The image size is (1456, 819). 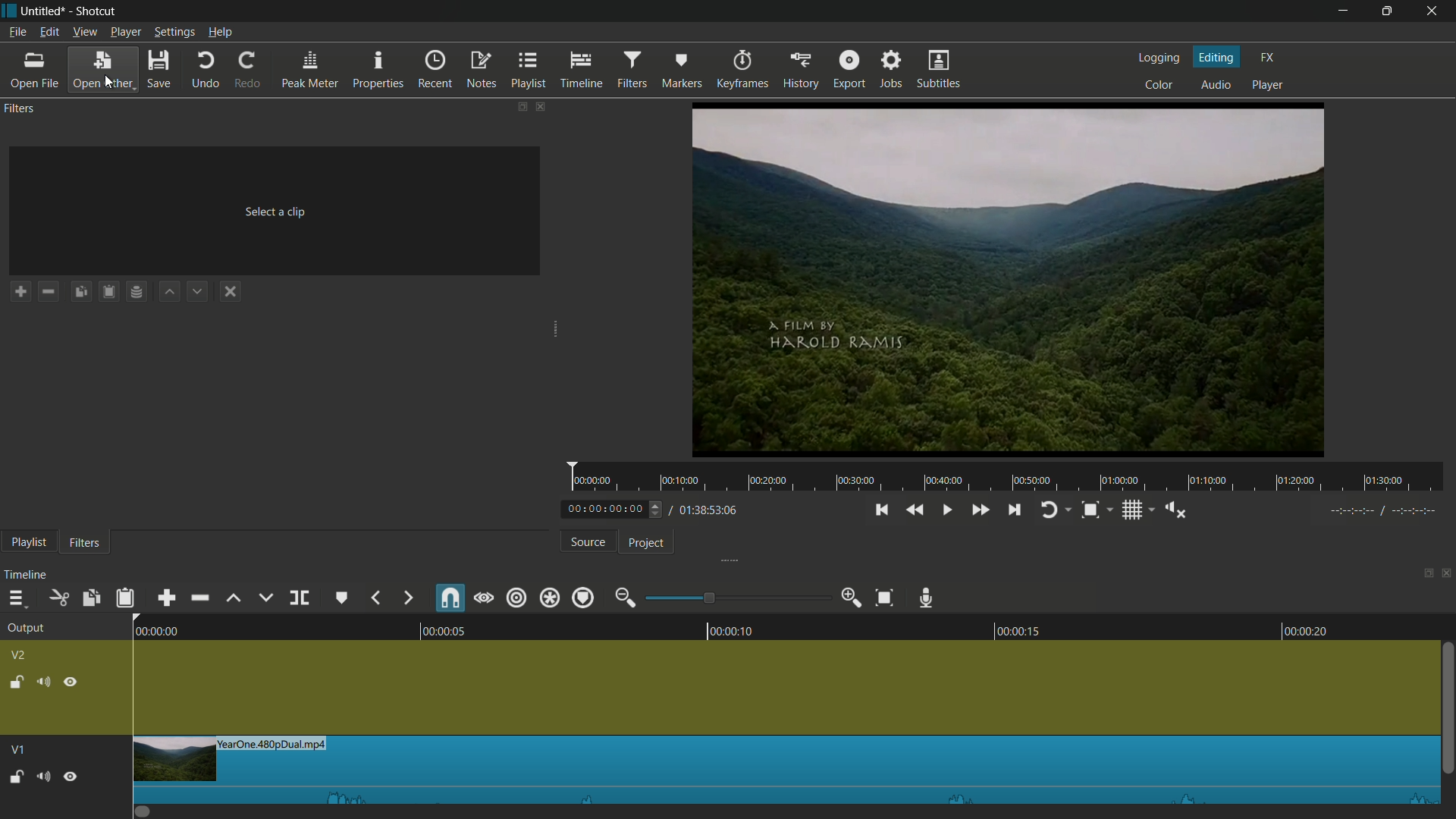 I want to click on player, so click(x=1268, y=86).